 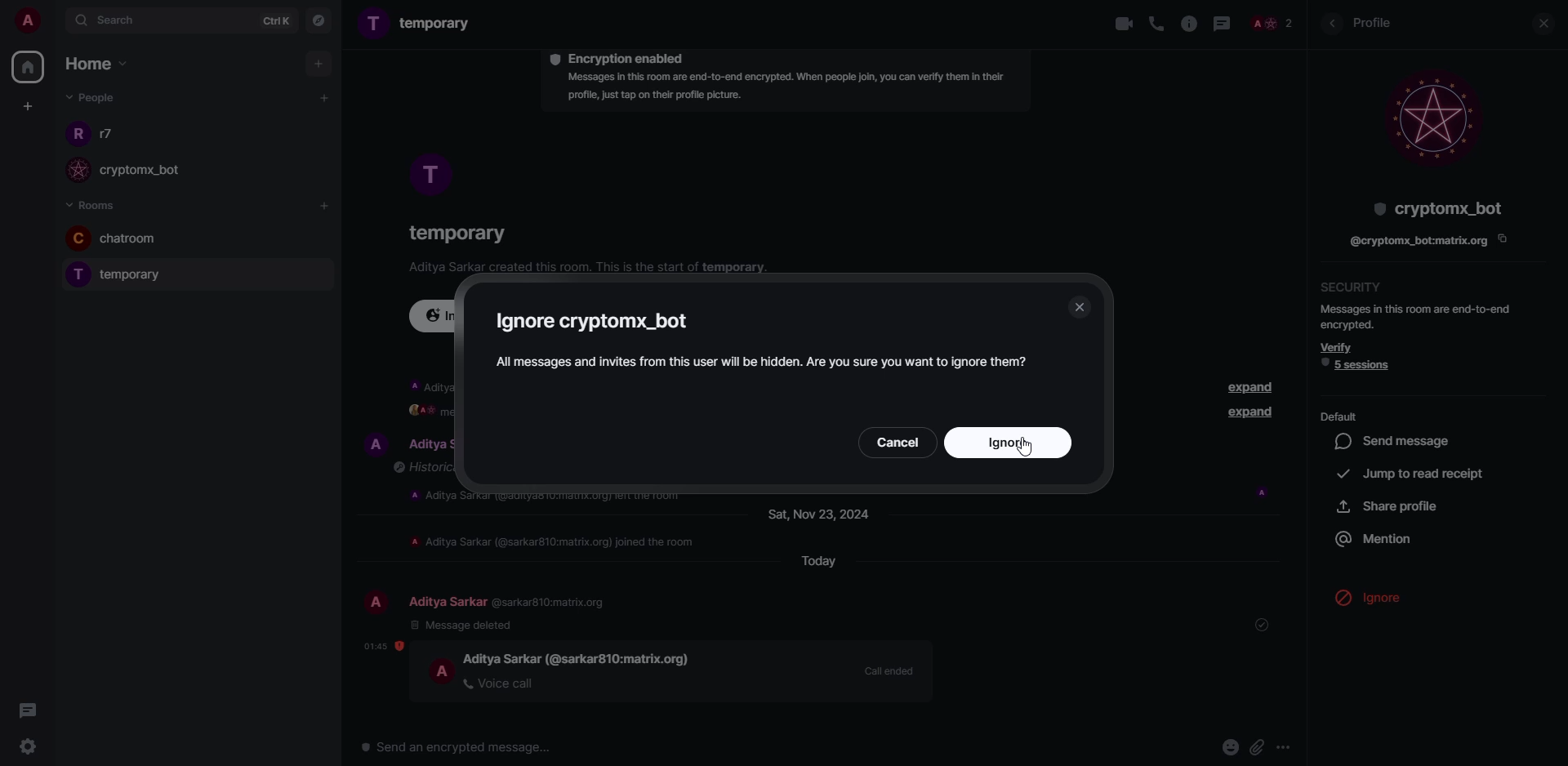 I want to click on sed message, so click(x=1398, y=441).